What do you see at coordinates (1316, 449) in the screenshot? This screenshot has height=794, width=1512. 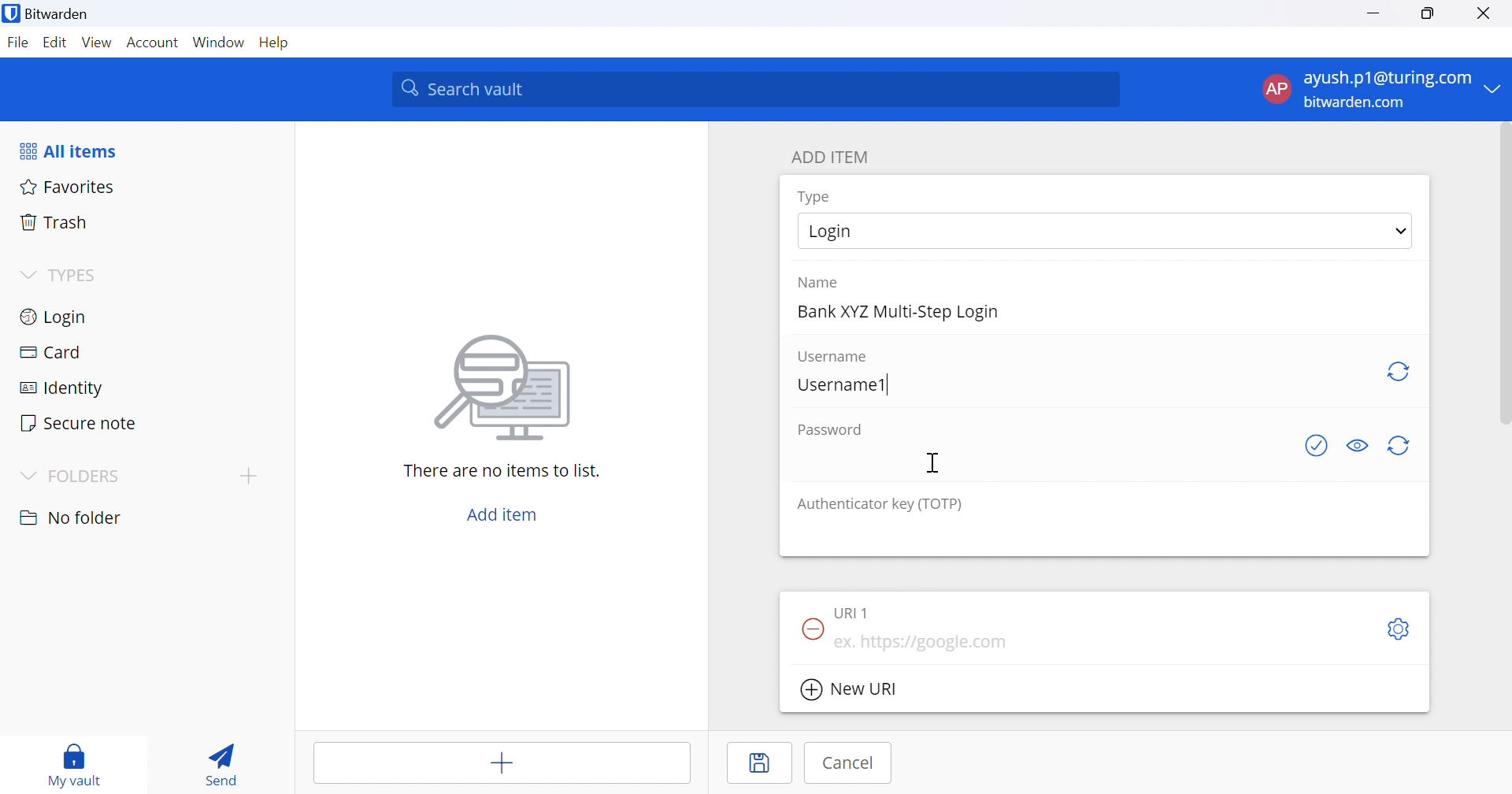 I see `Check if password has been exposed` at bounding box center [1316, 449].